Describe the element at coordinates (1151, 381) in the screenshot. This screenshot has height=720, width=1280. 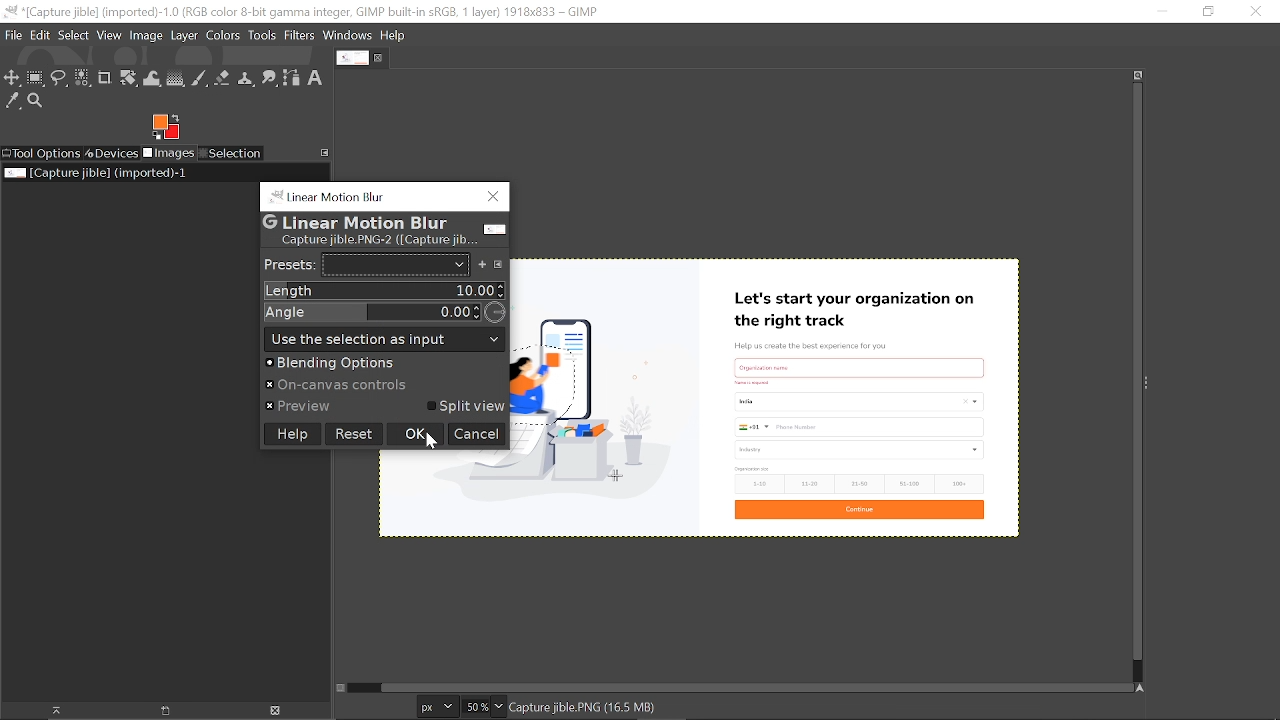
I see `Sidebar menu` at that location.